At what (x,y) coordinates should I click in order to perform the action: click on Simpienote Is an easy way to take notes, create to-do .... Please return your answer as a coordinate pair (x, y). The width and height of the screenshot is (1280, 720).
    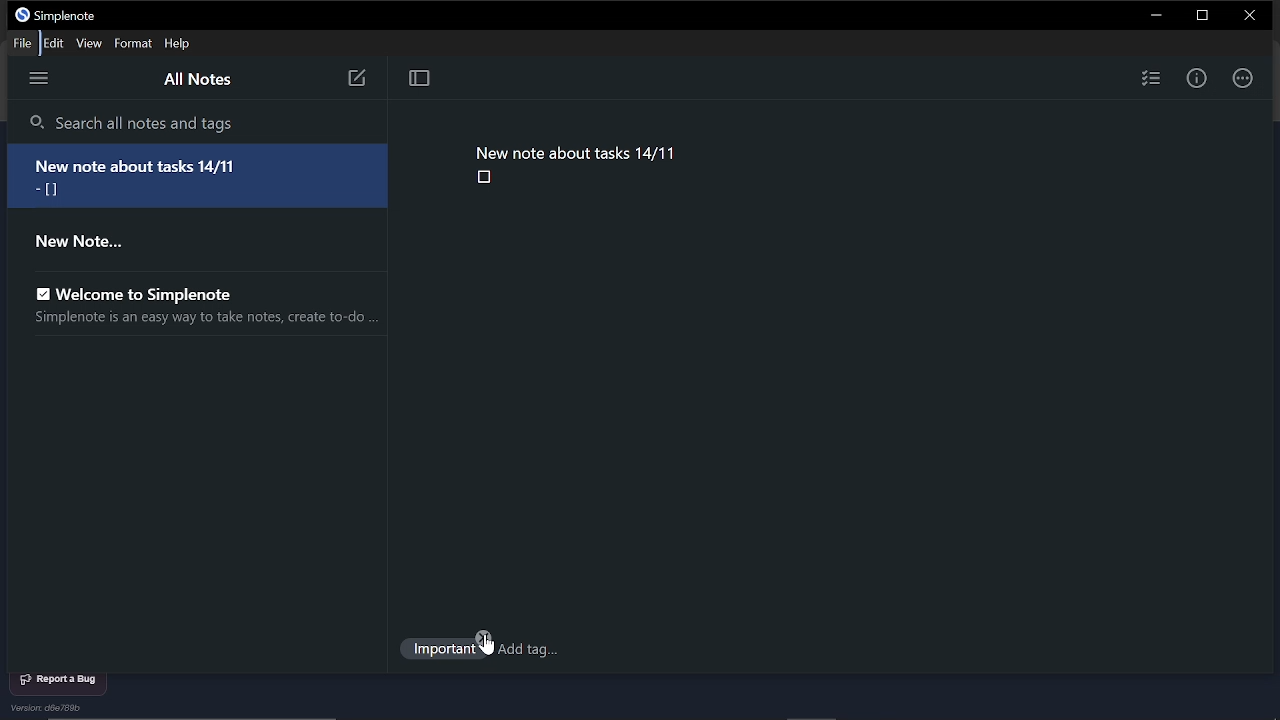
    Looking at the image, I should click on (198, 321).